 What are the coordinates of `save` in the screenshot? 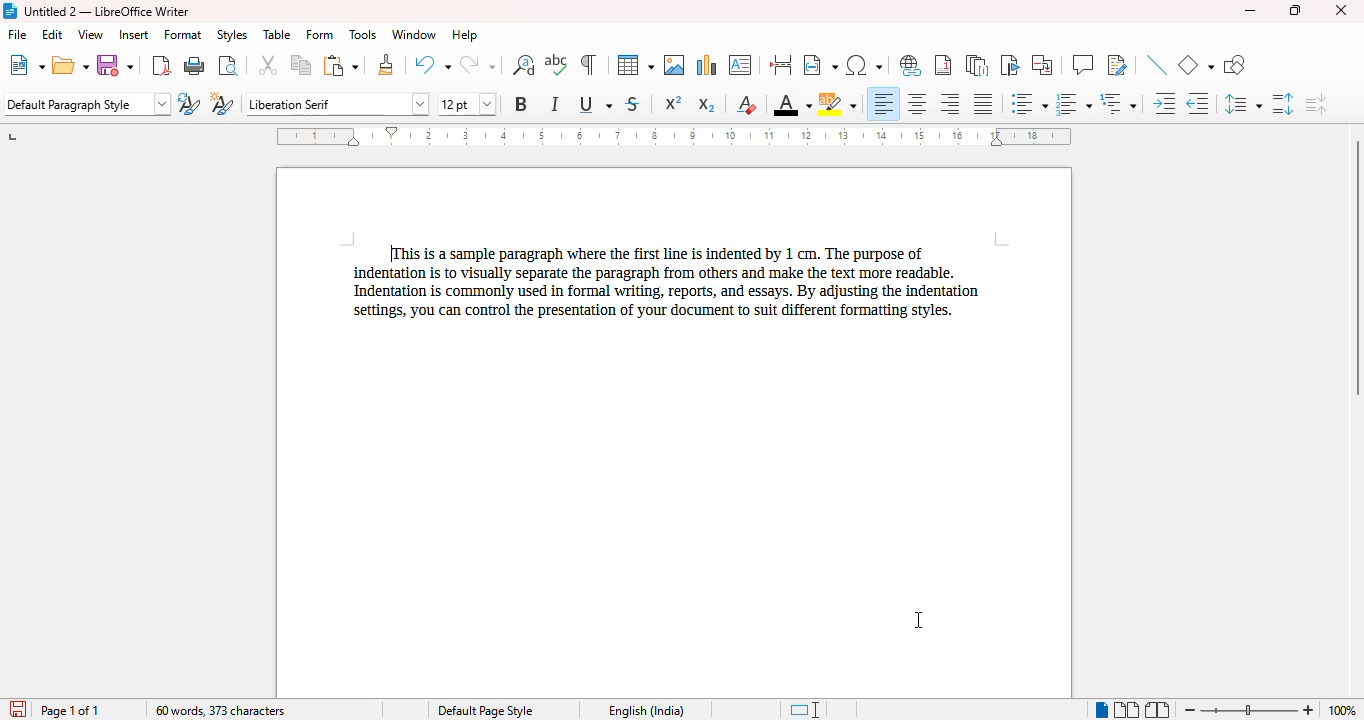 It's located at (118, 65).